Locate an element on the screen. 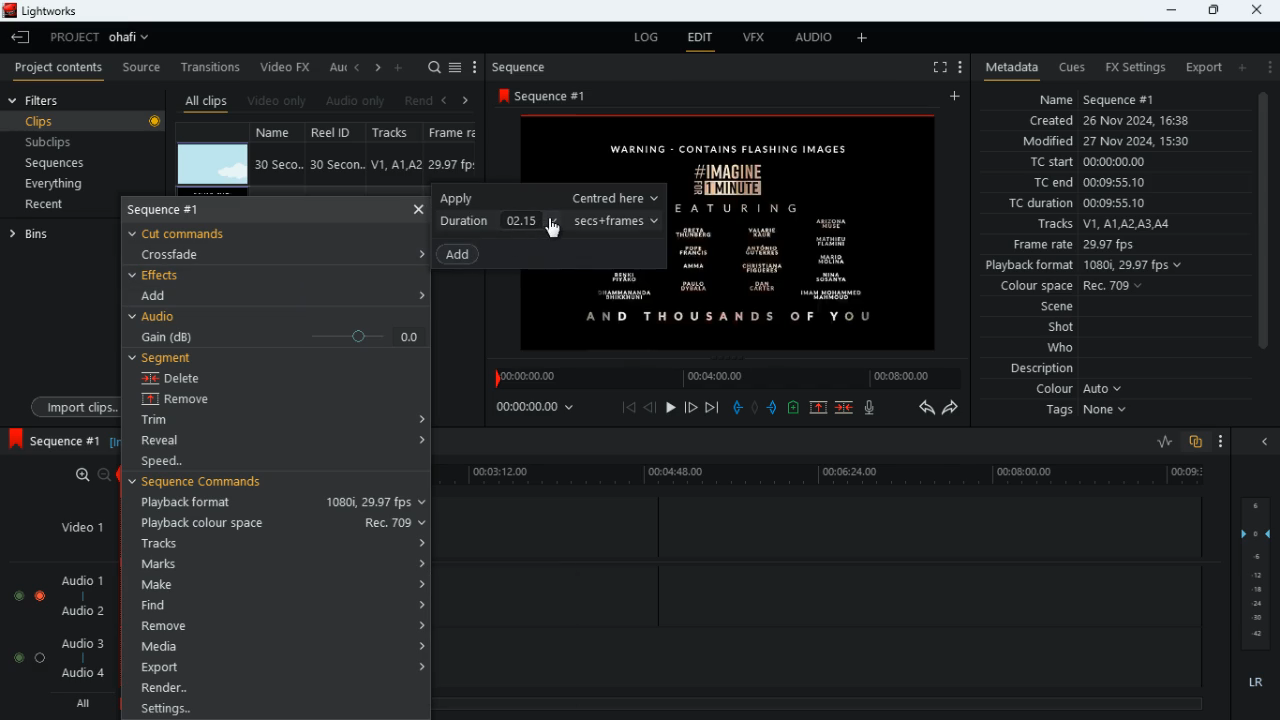 The height and width of the screenshot is (720, 1280). metadata is located at coordinates (1007, 68).